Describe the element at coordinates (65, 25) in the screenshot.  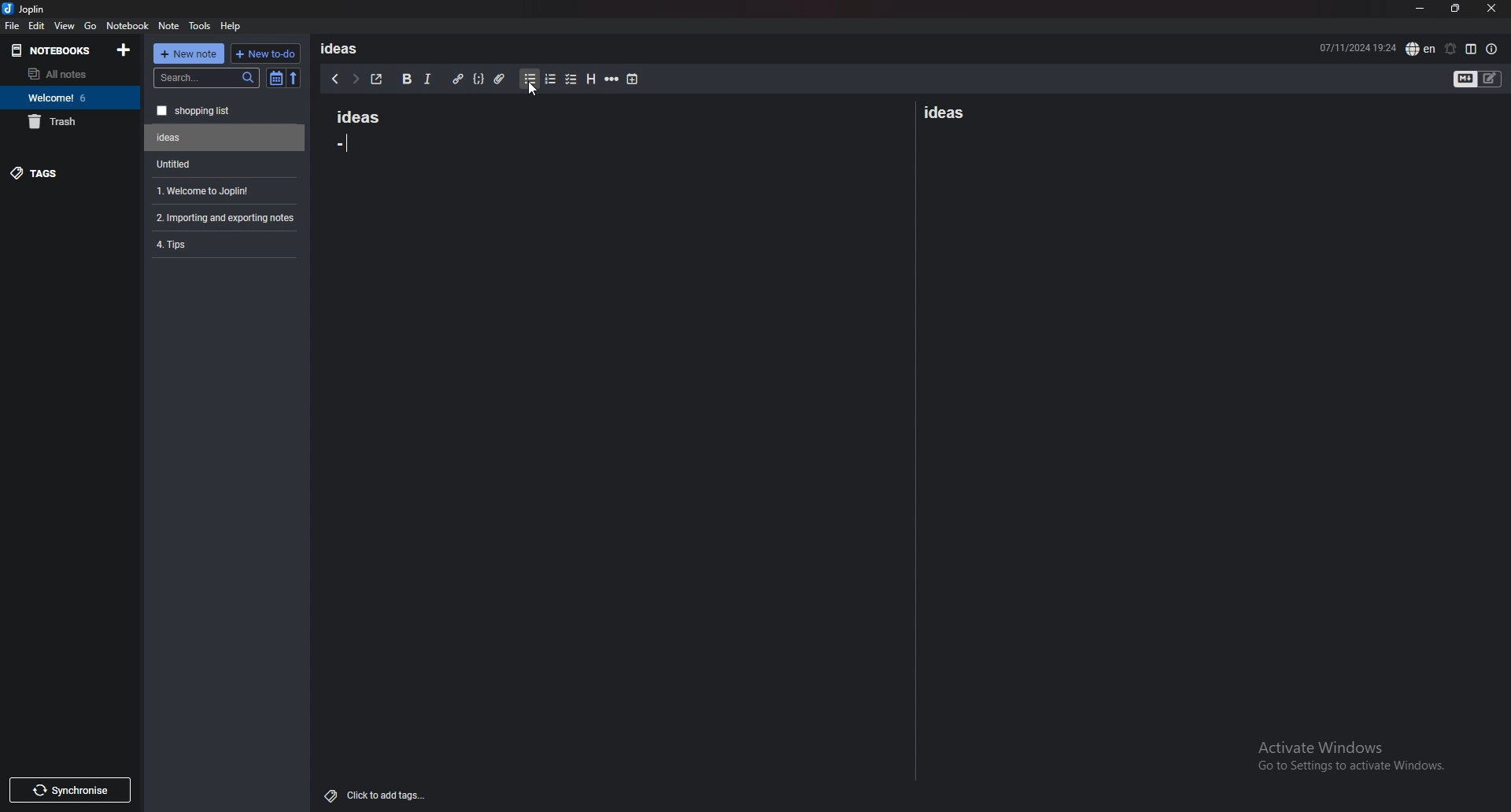
I see `view` at that location.